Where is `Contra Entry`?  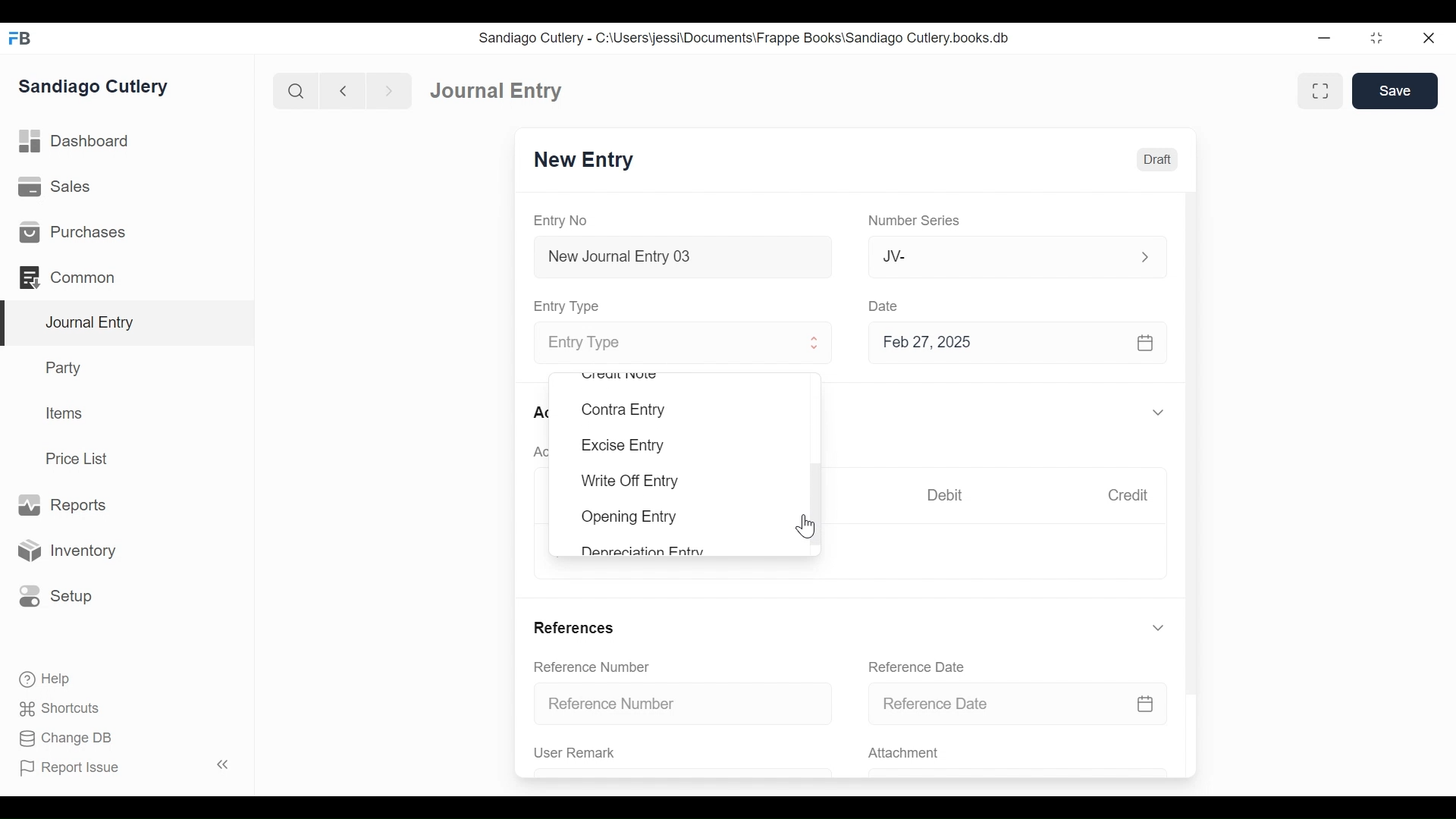
Contra Entry is located at coordinates (625, 410).